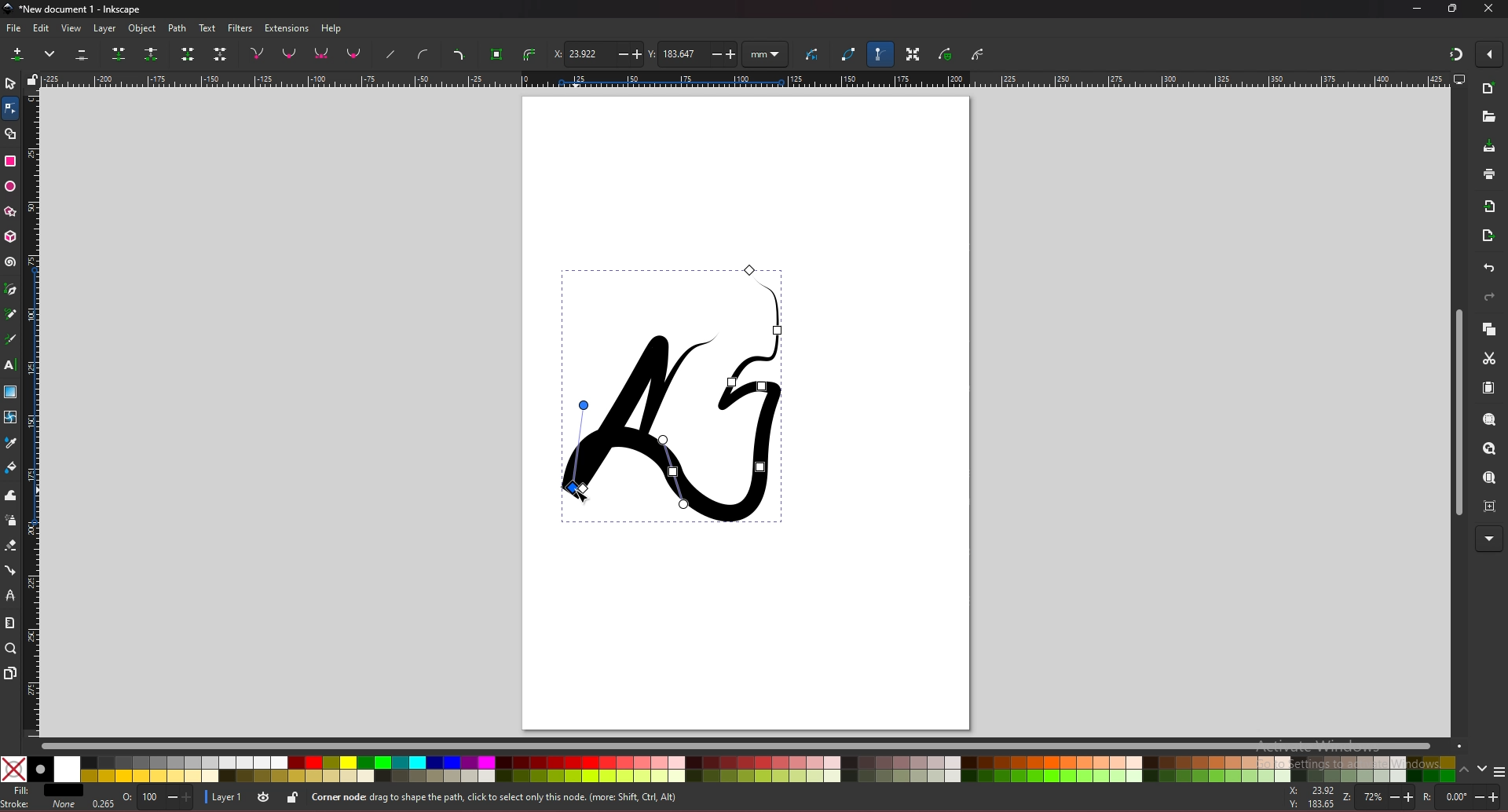  What do you see at coordinates (1490, 268) in the screenshot?
I see `undo` at bounding box center [1490, 268].